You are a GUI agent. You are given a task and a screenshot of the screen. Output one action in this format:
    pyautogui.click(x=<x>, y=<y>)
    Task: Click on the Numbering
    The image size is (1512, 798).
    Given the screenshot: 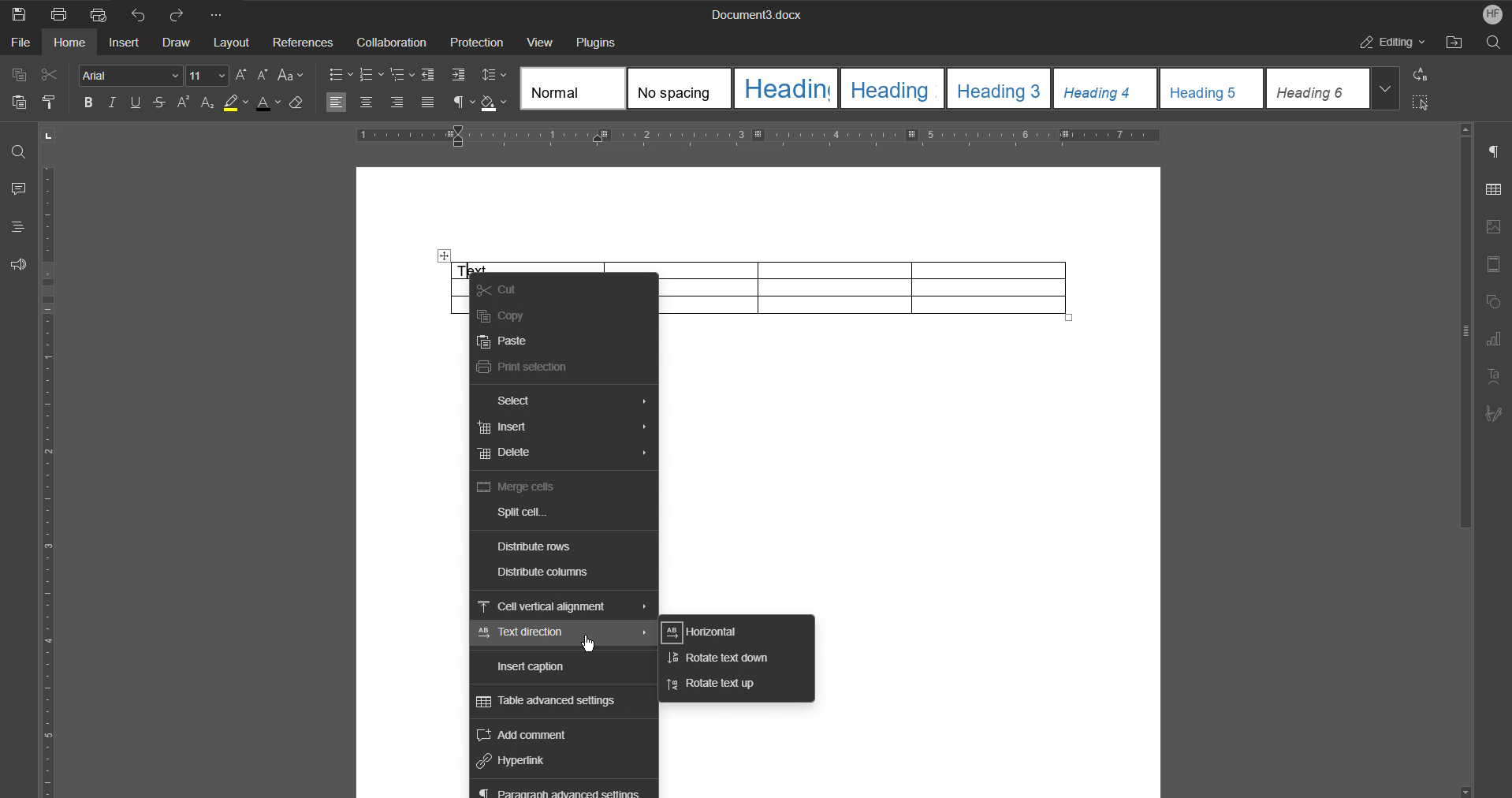 What is the action you would take?
    pyautogui.click(x=371, y=76)
    